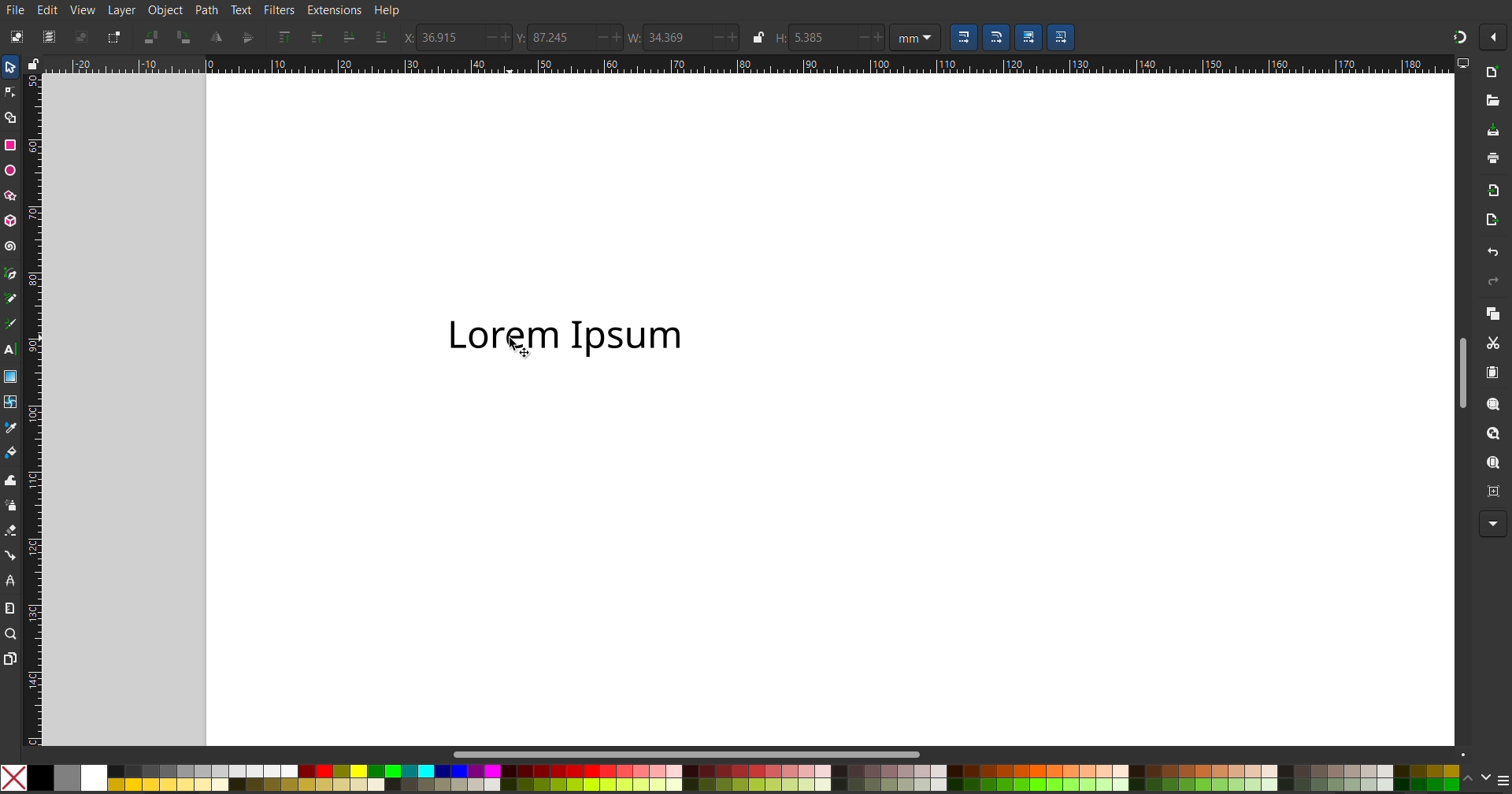 This screenshot has height=794, width=1512. What do you see at coordinates (382, 38) in the screenshot?
I see `Send to bottom` at bounding box center [382, 38].